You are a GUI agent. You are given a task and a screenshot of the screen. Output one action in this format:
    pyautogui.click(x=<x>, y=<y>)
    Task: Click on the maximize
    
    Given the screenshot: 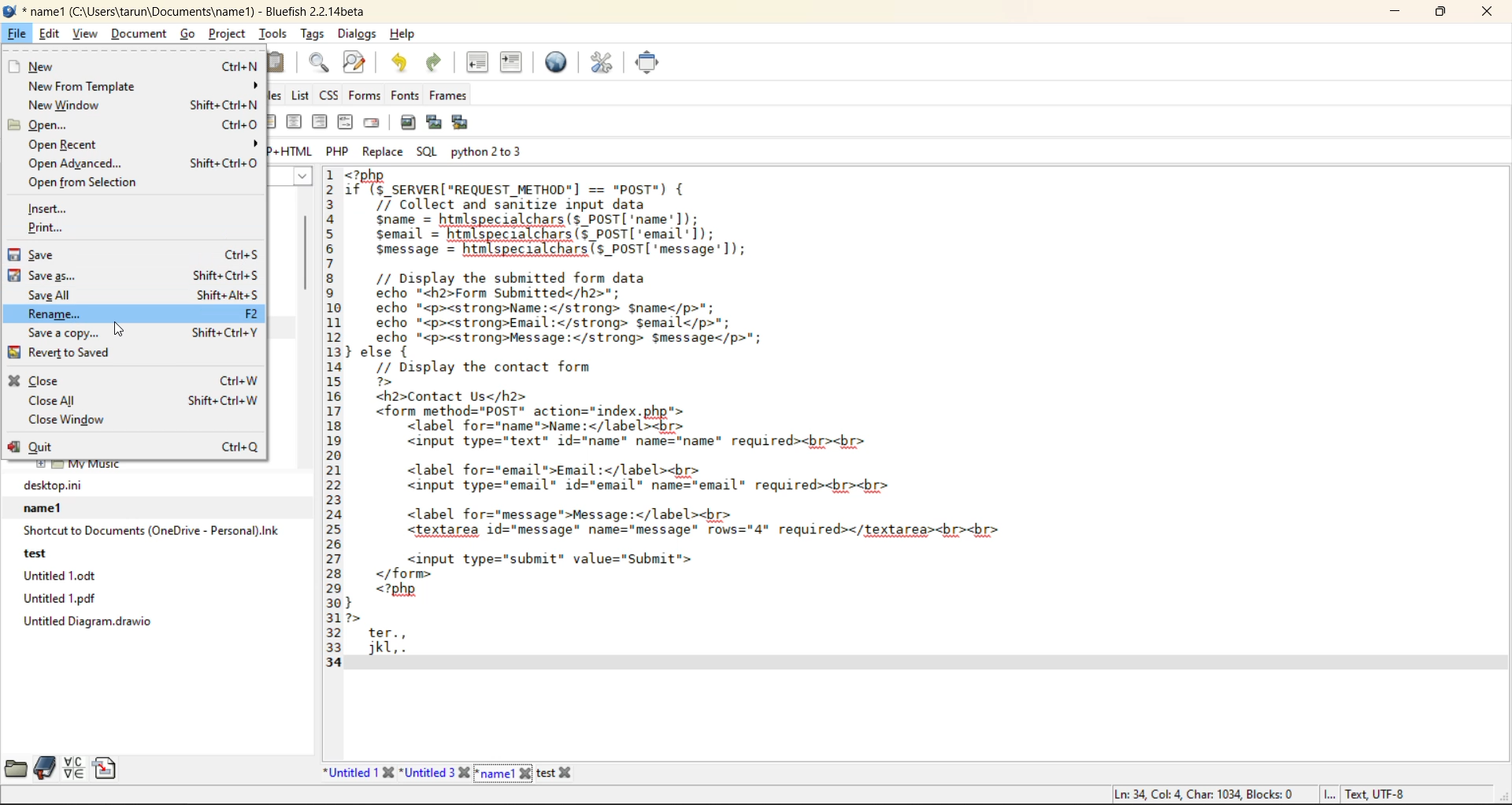 What is the action you would take?
    pyautogui.click(x=1442, y=15)
    